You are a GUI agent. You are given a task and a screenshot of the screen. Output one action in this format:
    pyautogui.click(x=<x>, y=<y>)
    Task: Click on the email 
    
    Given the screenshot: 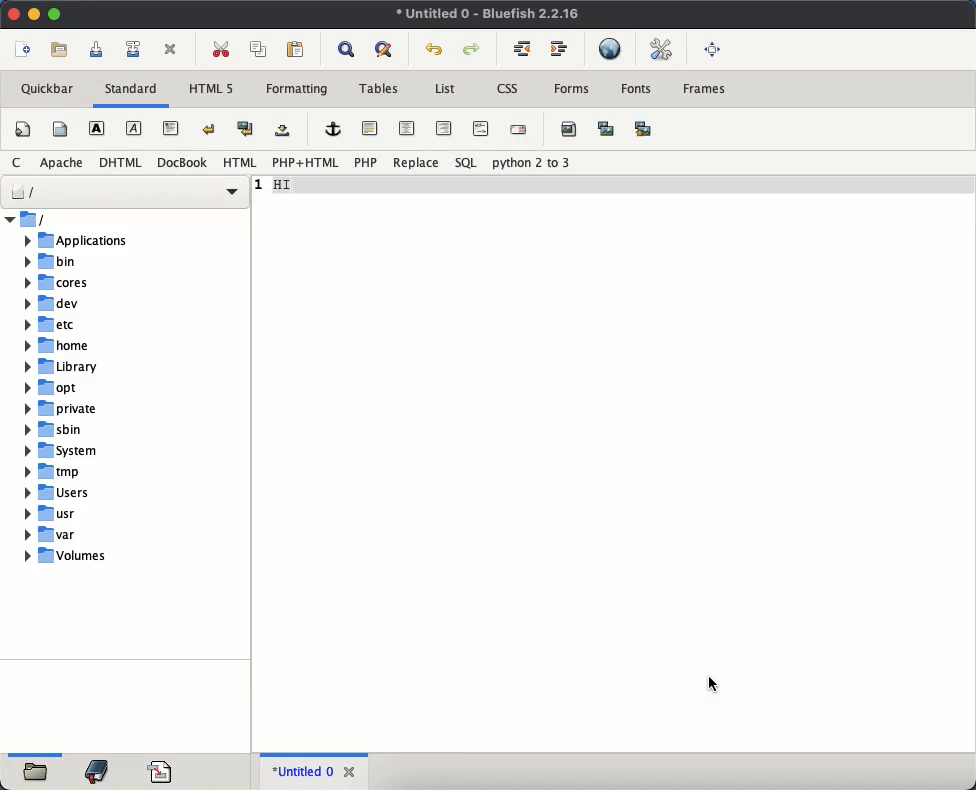 What is the action you would take?
    pyautogui.click(x=520, y=130)
    